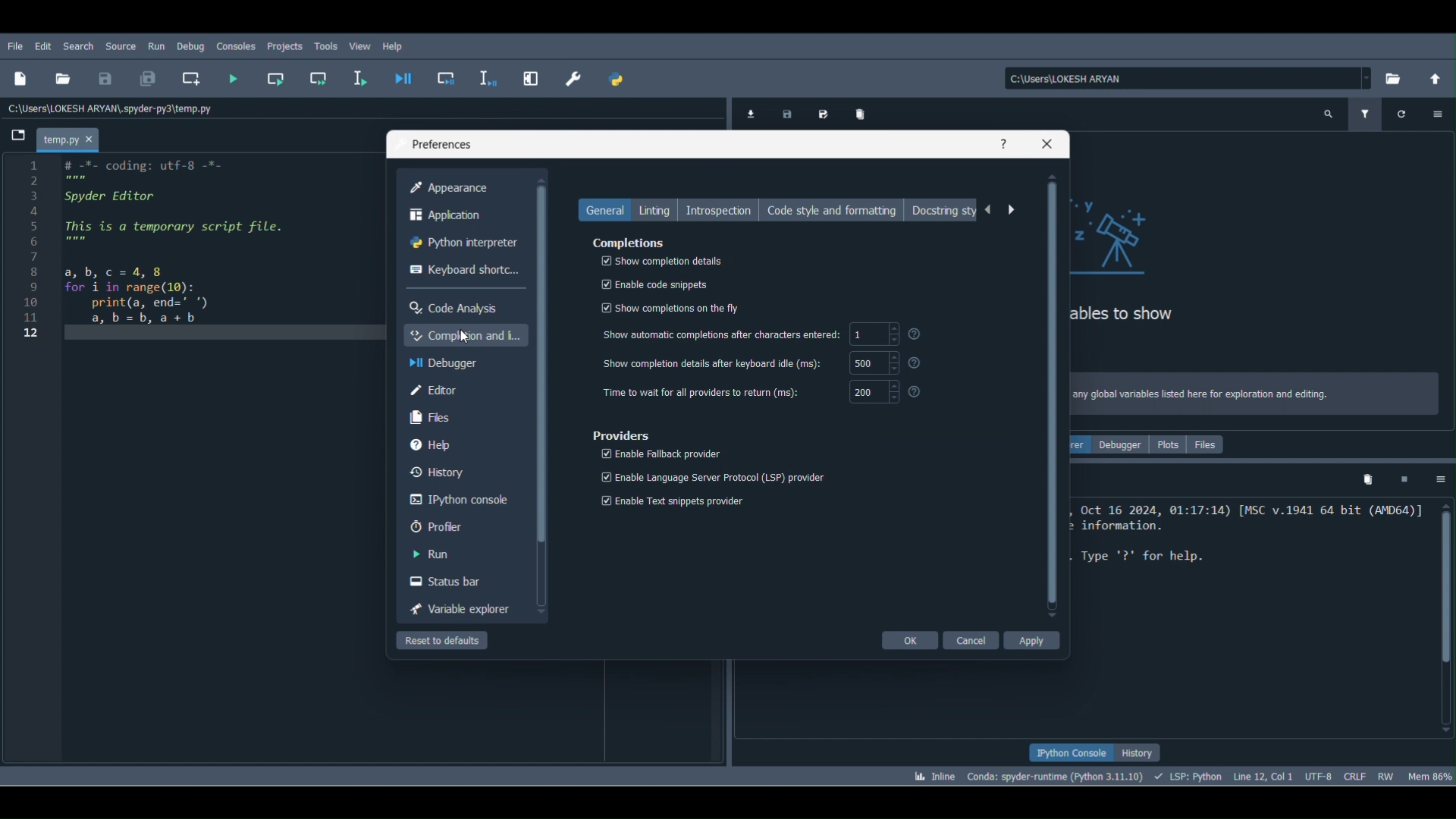  What do you see at coordinates (276, 80) in the screenshot?
I see `Run current cell (Ctrl + Return)` at bounding box center [276, 80].